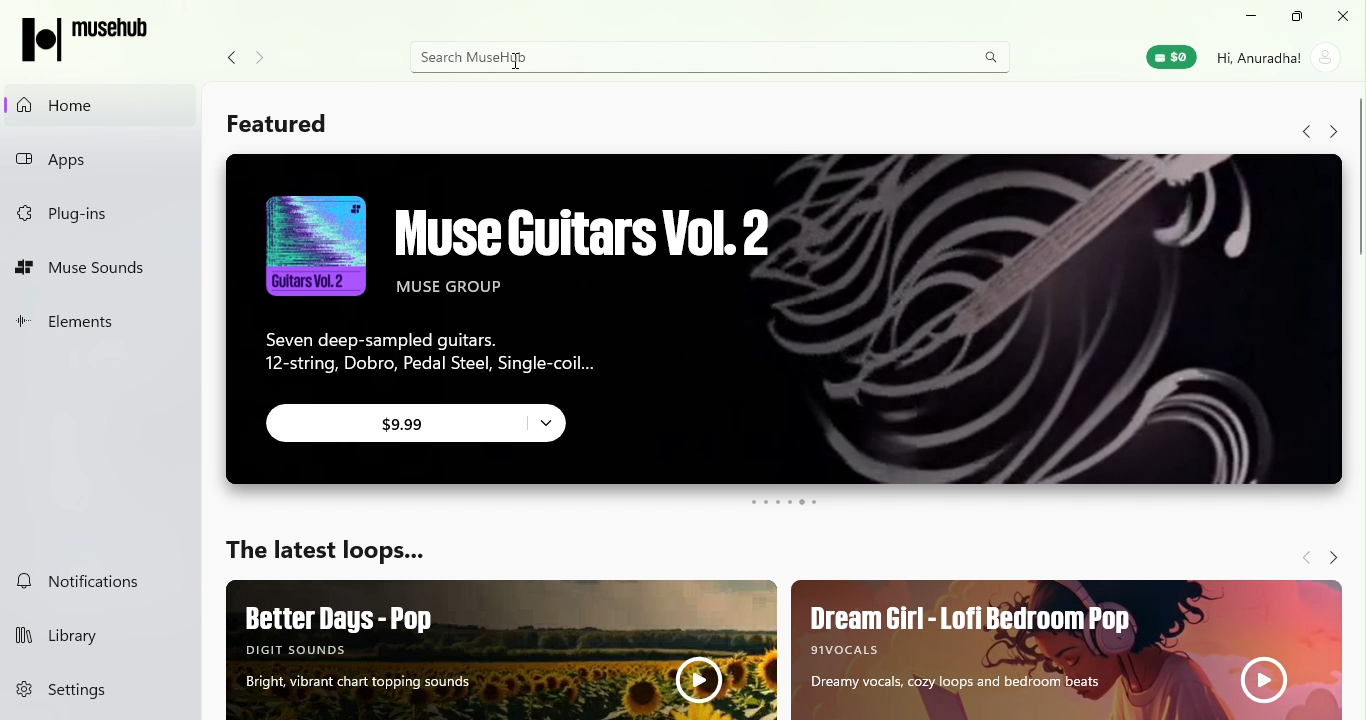  What do you see at coordinates (1331, 552) in the screenshot?
I see `Navigate forward` at bounding box center [1331, 552].